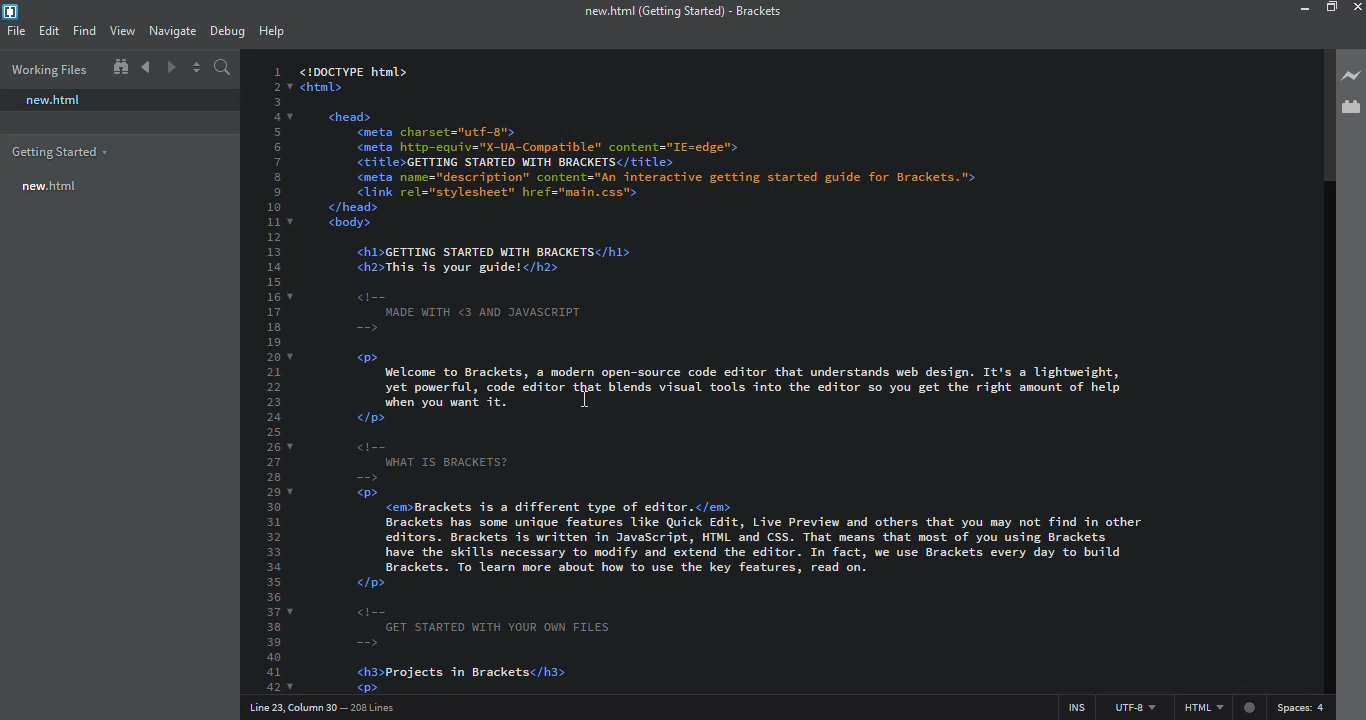  Describe the element at coordinates (52, 70) in the screenshot. I see `working files` at that location.